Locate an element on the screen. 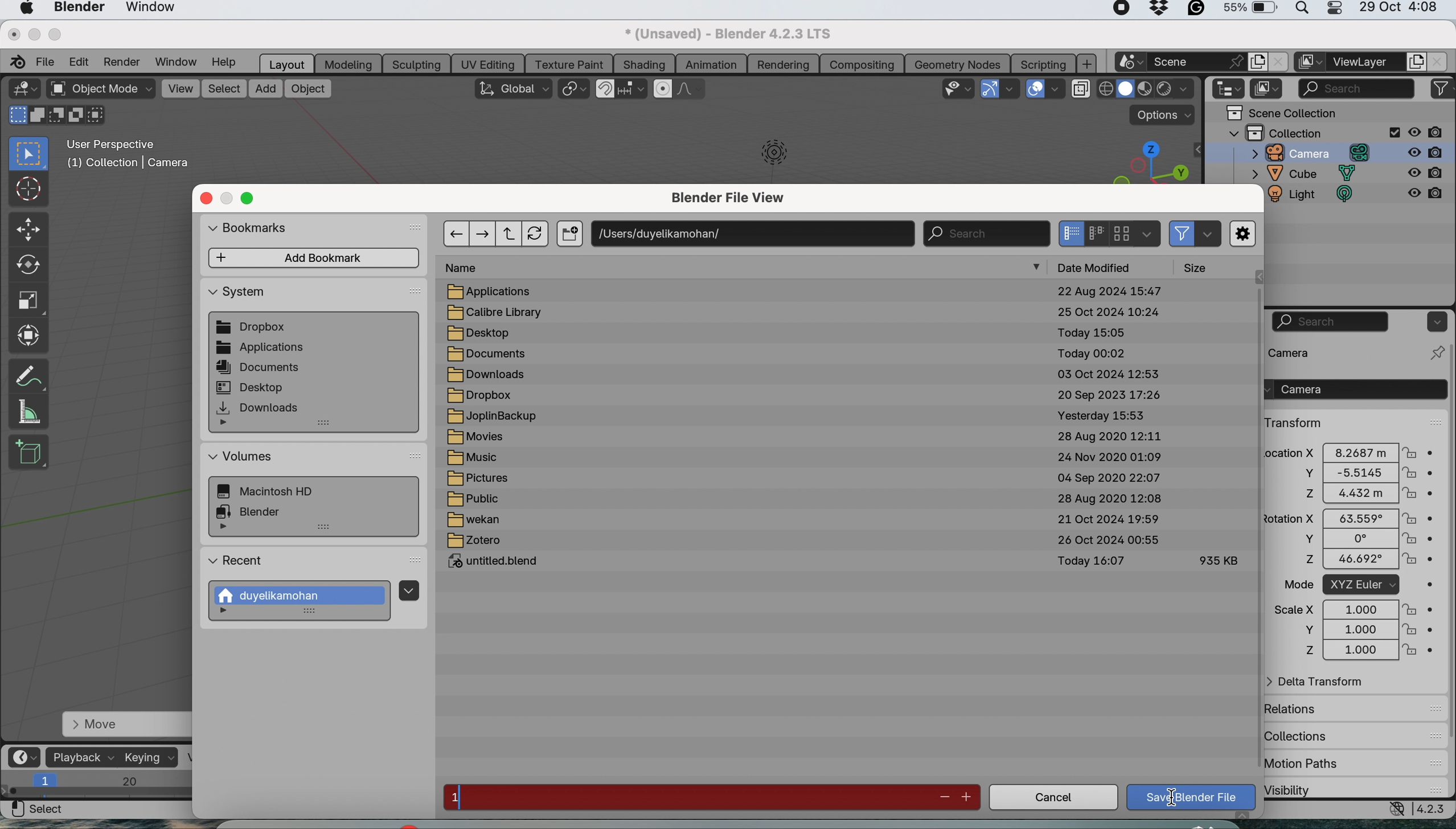 The height and width of the screenshot is (829, 1456). y 1.000 is located at coordinates (1354, 630).